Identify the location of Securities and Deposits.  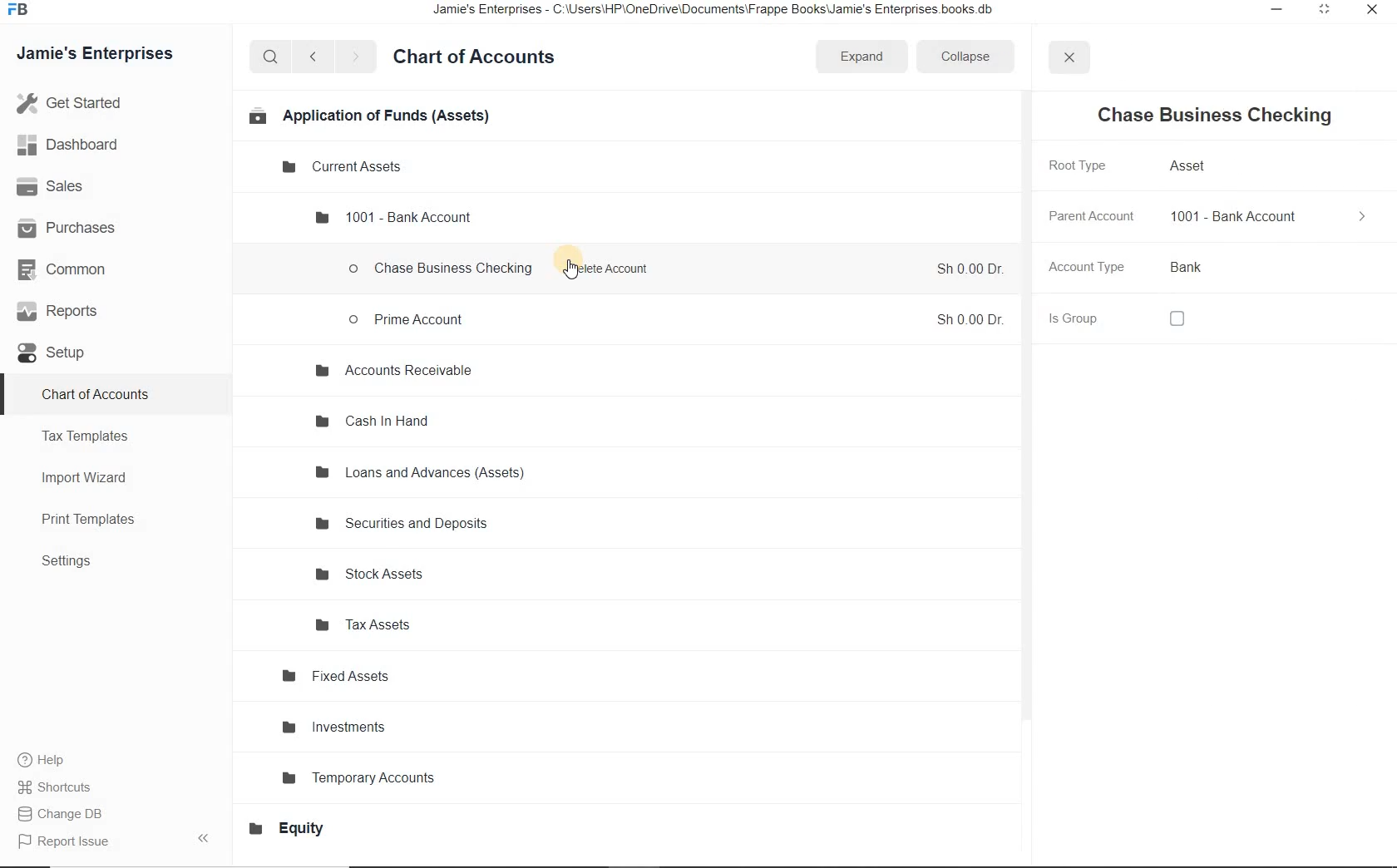
(406, 525).